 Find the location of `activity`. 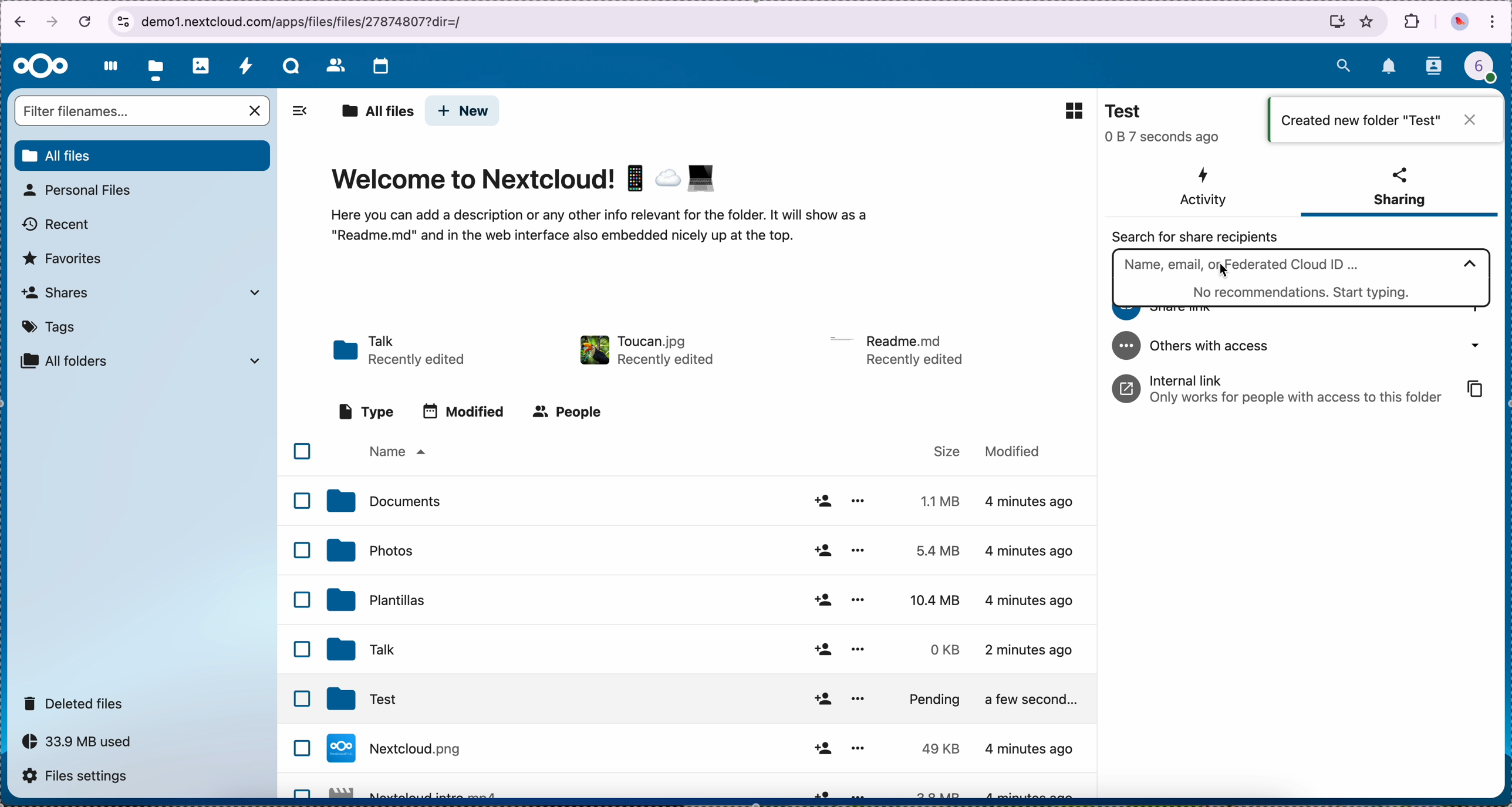

activity is located at coordinates (245, 65).